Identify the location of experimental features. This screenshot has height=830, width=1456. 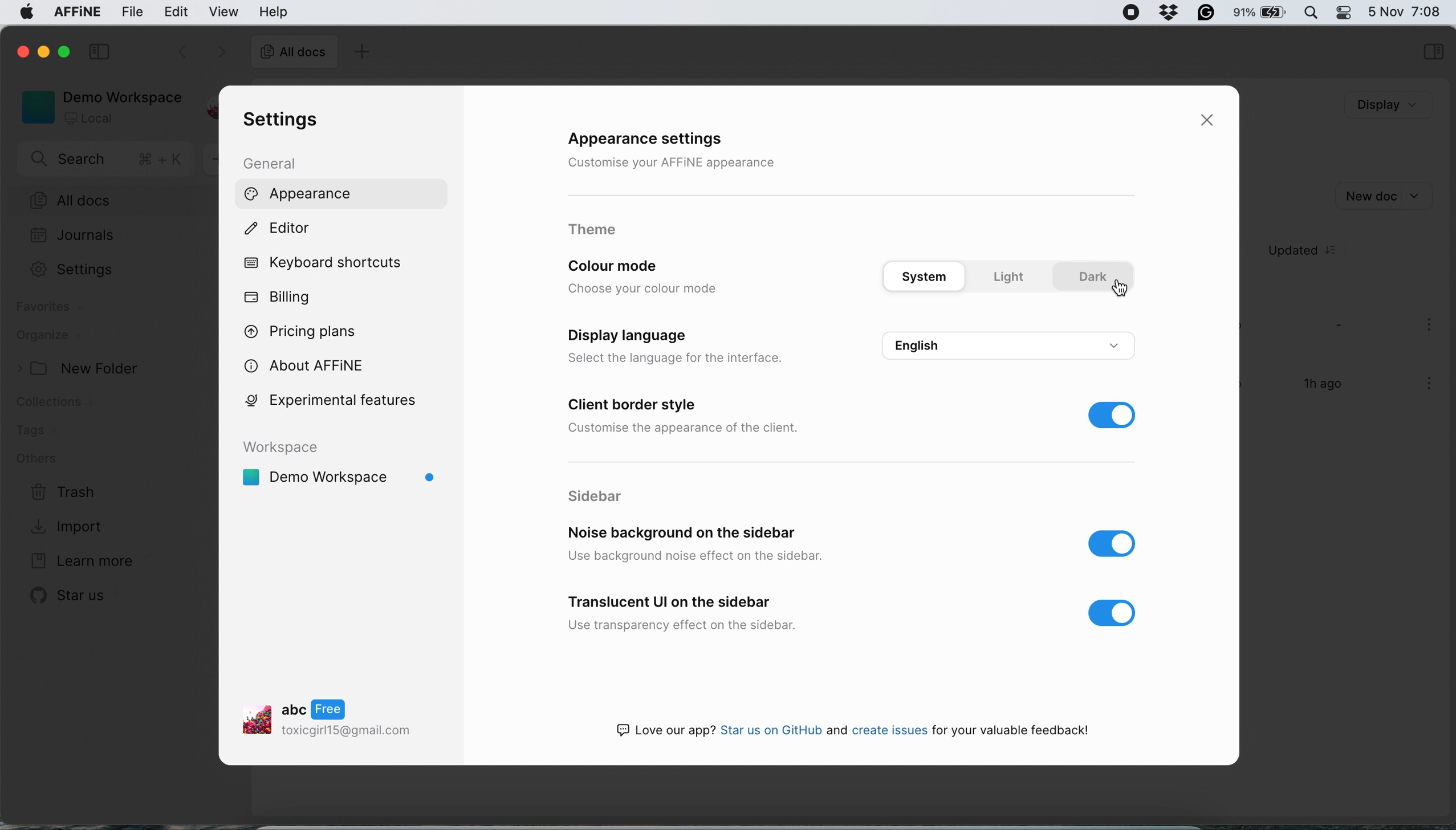
(340, 403).